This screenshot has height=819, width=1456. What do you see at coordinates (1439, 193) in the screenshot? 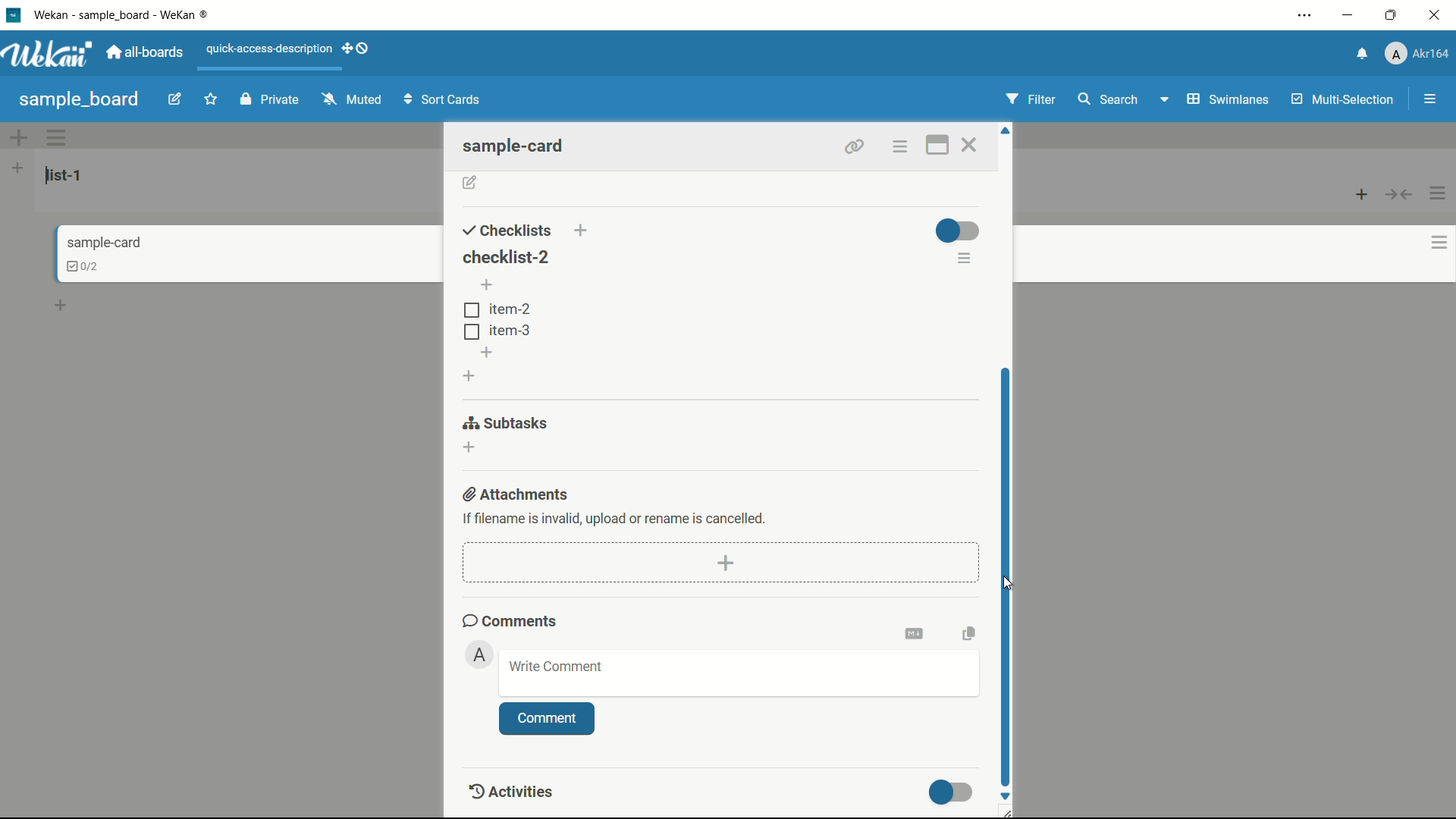
I see `list actions` at bounding box center [1439, 193].